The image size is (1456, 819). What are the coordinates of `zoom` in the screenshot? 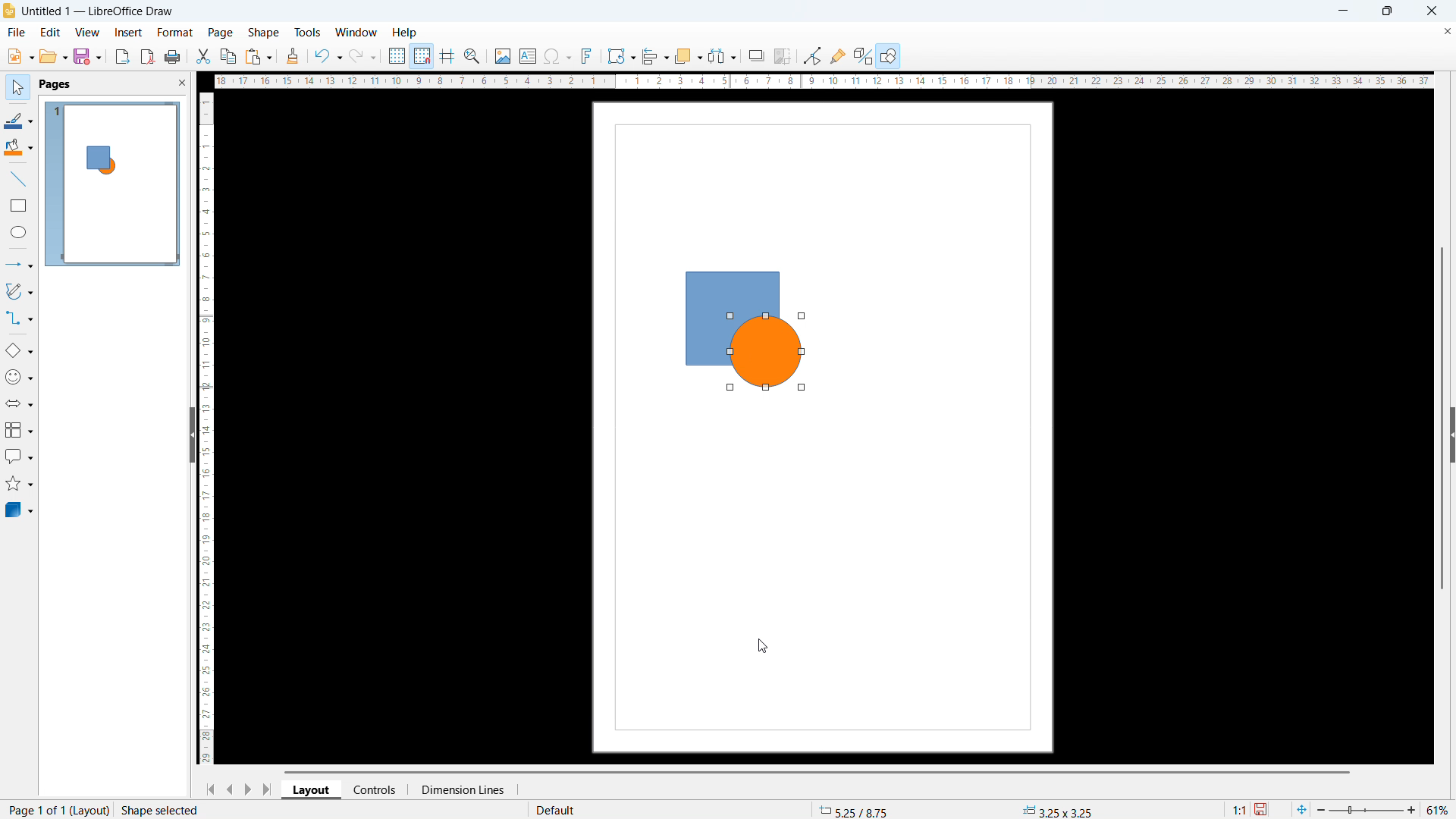 It's located at (473, 56).